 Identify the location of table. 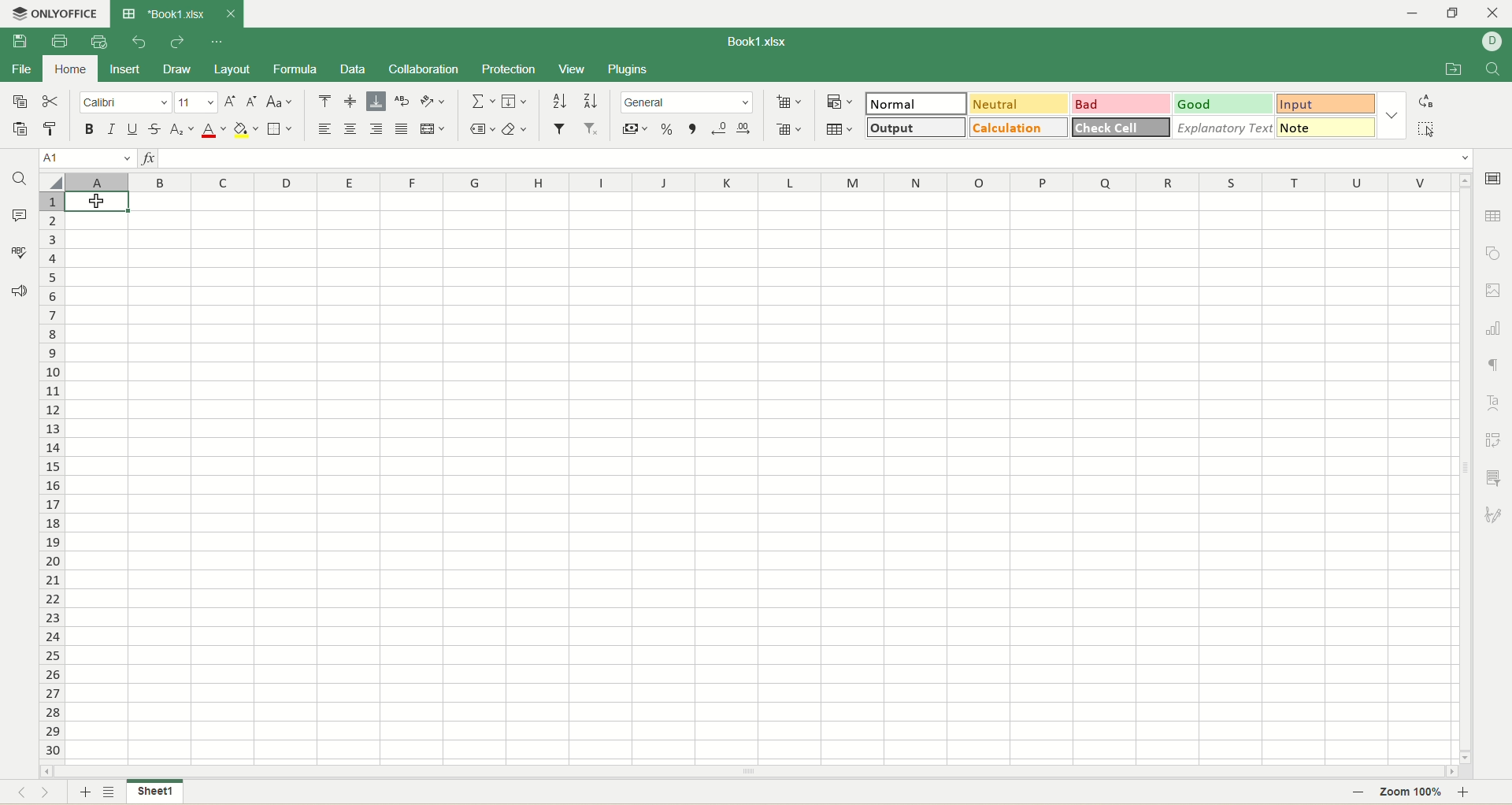
(1493, 214).